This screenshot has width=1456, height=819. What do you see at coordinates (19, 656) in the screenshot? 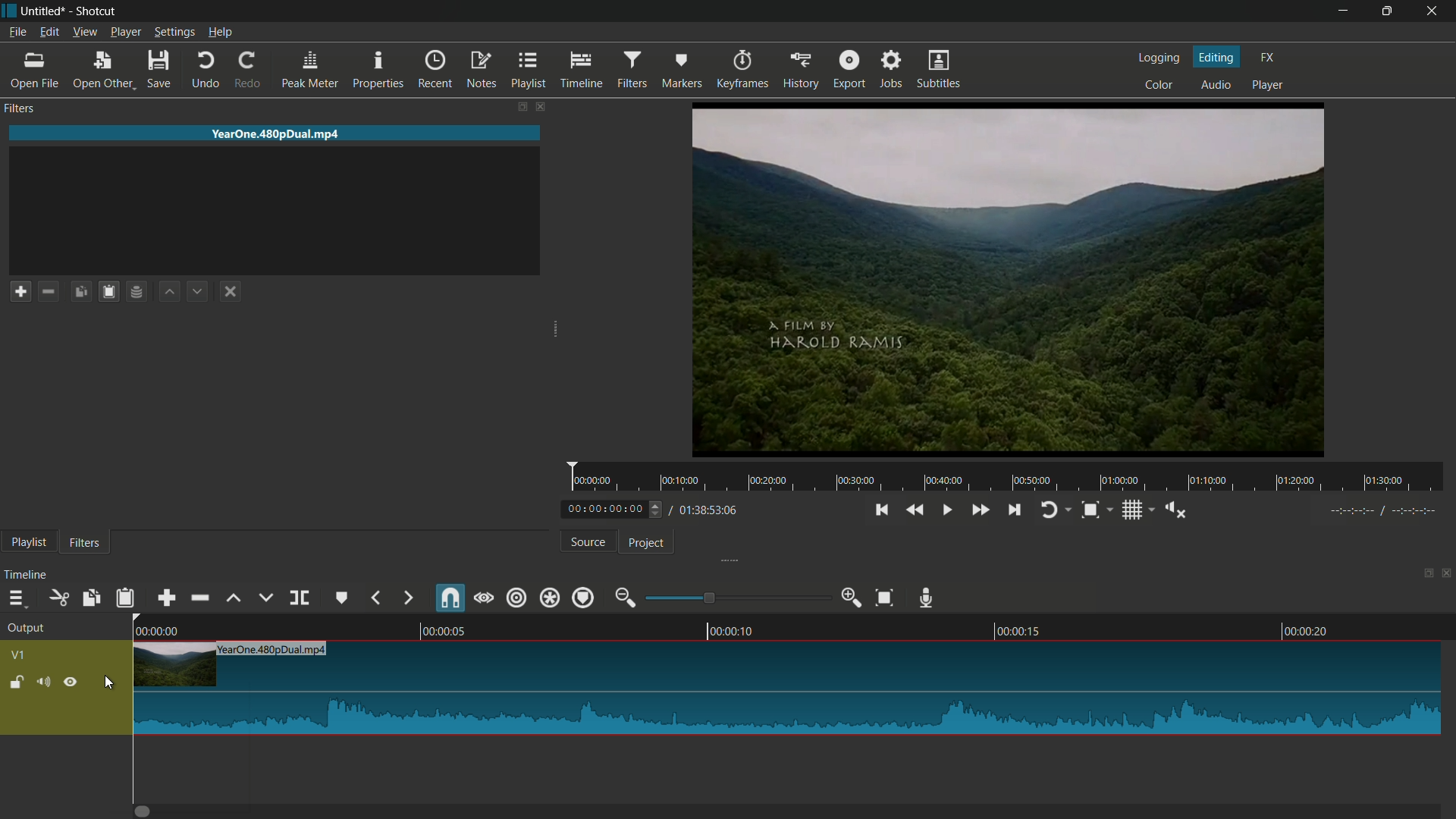
I see `v1` at bounding box center [19, 656].